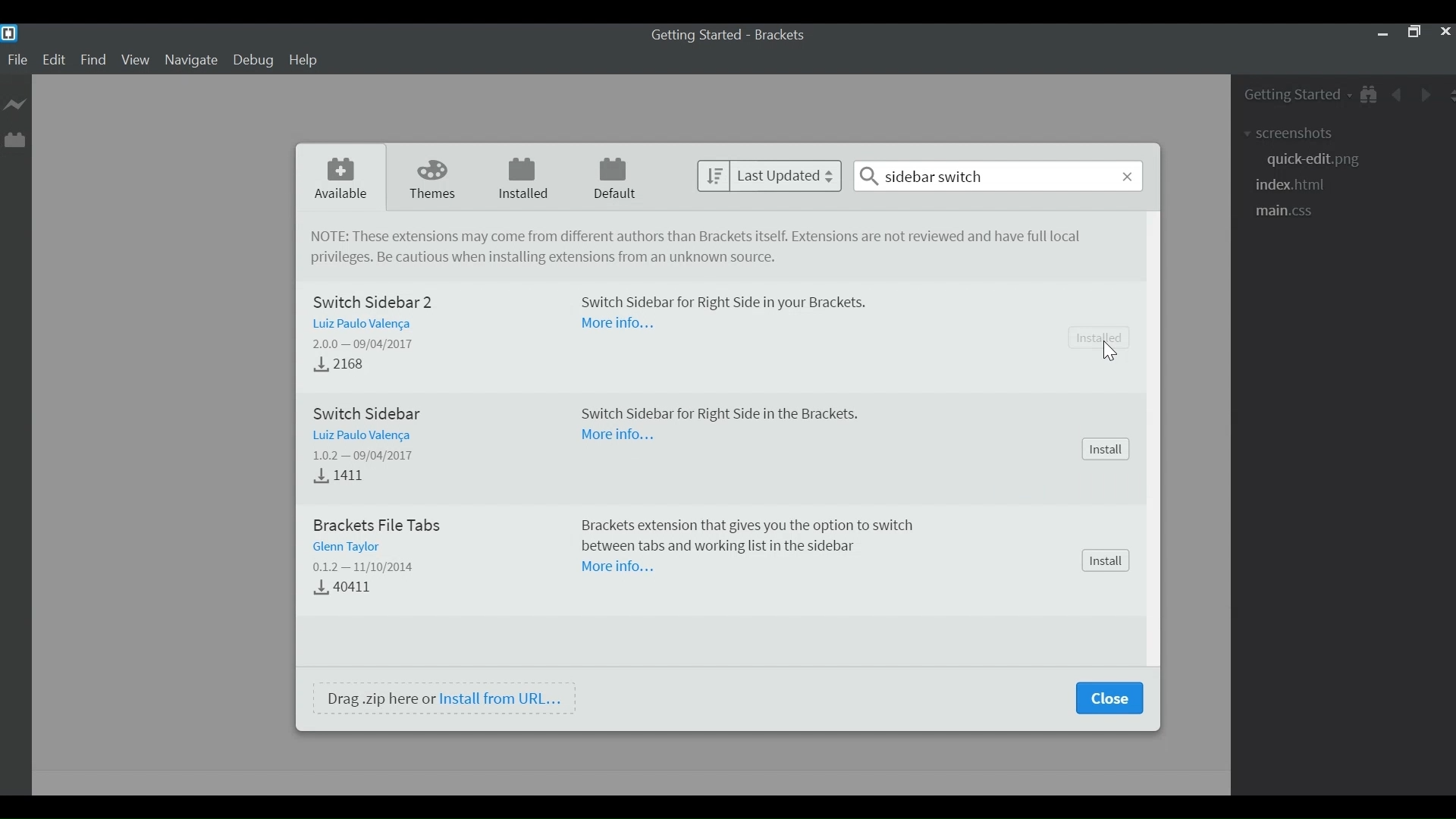  I want to click on Uninstalled, so click(1100, 338).